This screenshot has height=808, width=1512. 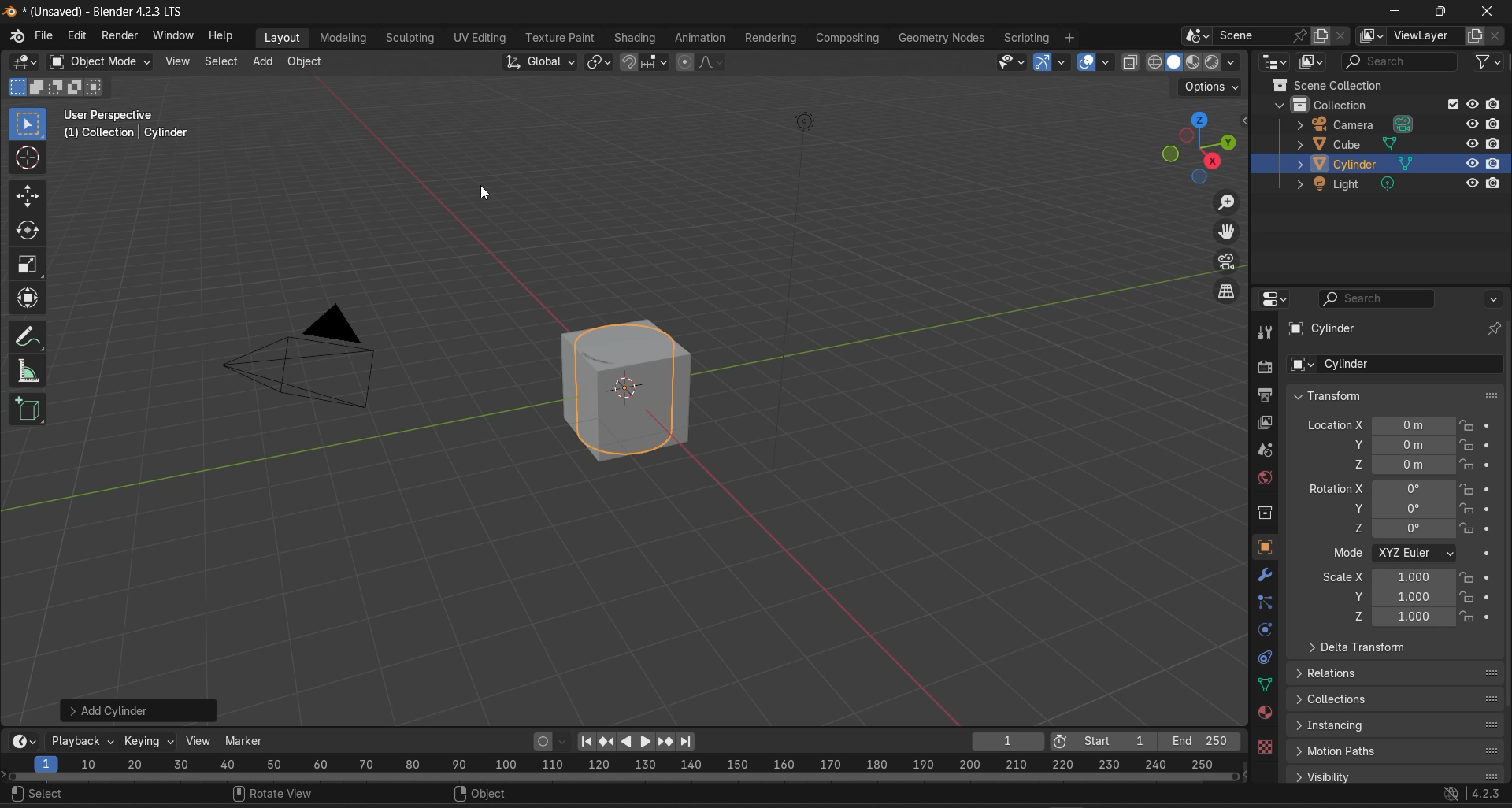 I want to click on render, so click(x=117, y=36).